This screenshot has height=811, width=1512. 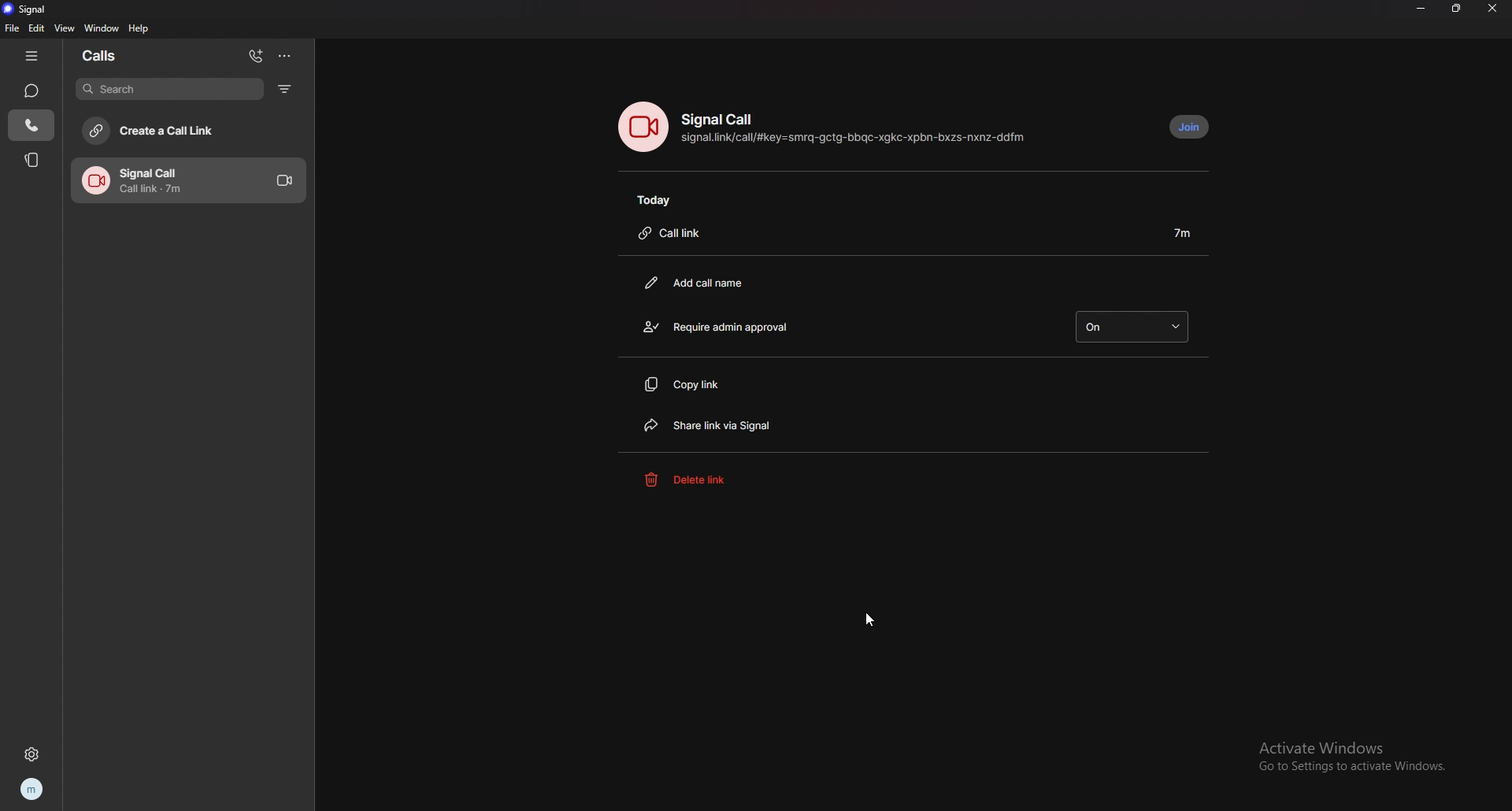 I want to click on signal, so click(x=31, y=9).